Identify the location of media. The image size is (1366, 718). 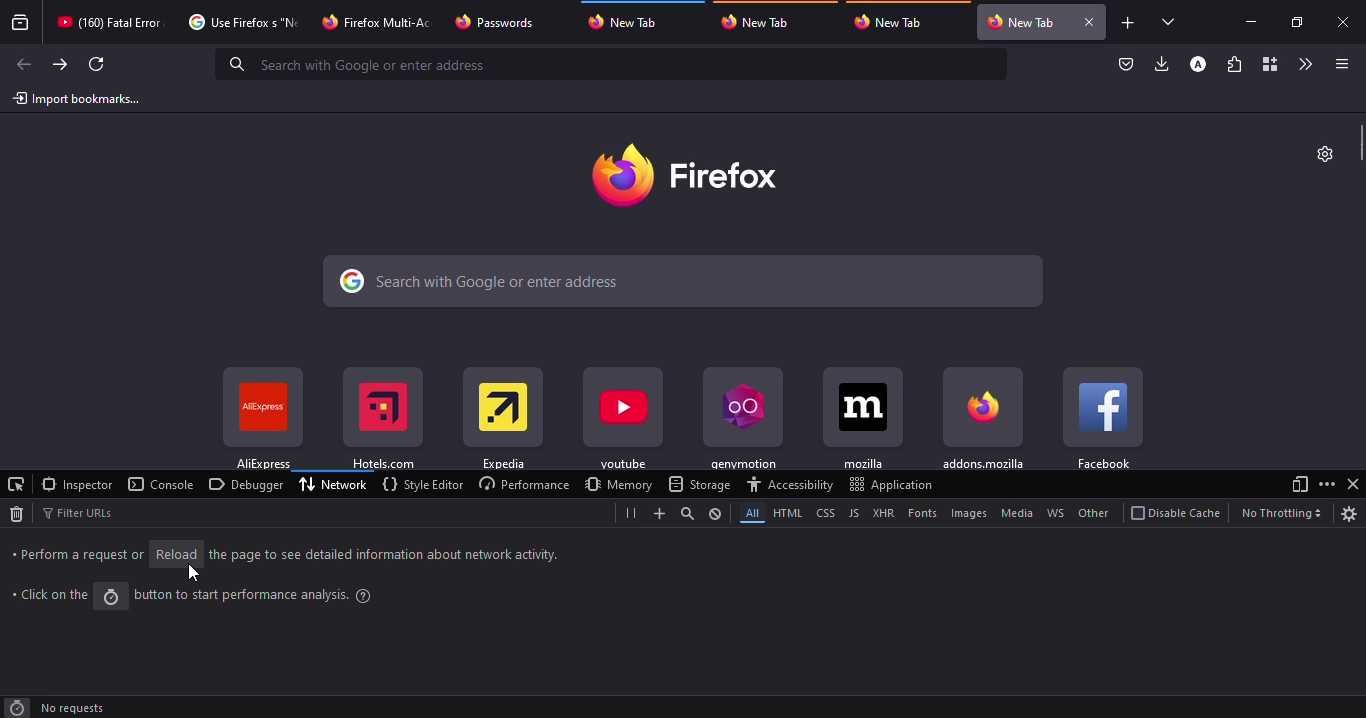
(1014, 513).